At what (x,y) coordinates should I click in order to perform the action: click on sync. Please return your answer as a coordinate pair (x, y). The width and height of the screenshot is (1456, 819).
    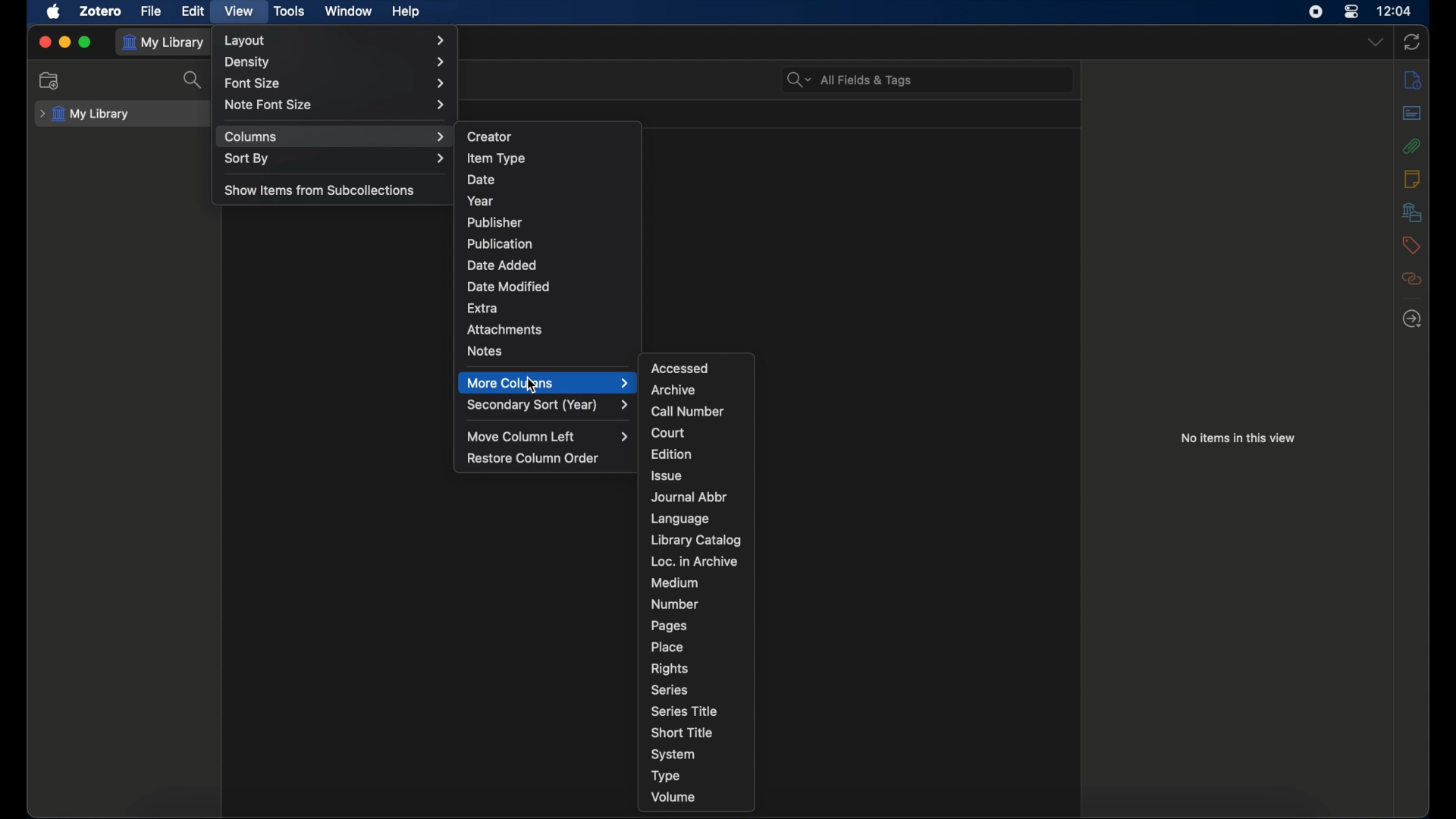
    Looking at the image, I should click on (1411, 42).